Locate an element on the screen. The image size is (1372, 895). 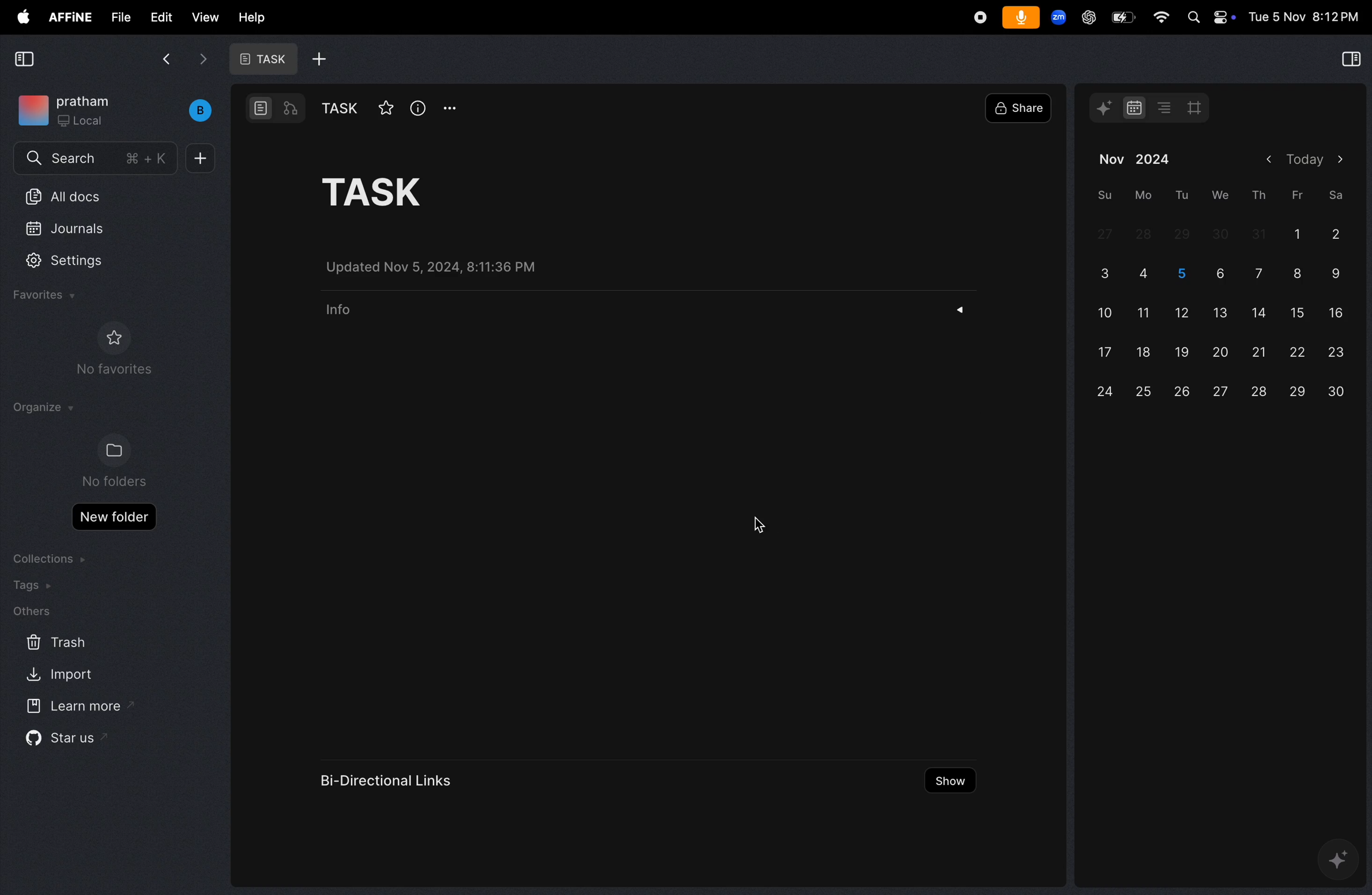
star us is located at coordinates (62, 741).